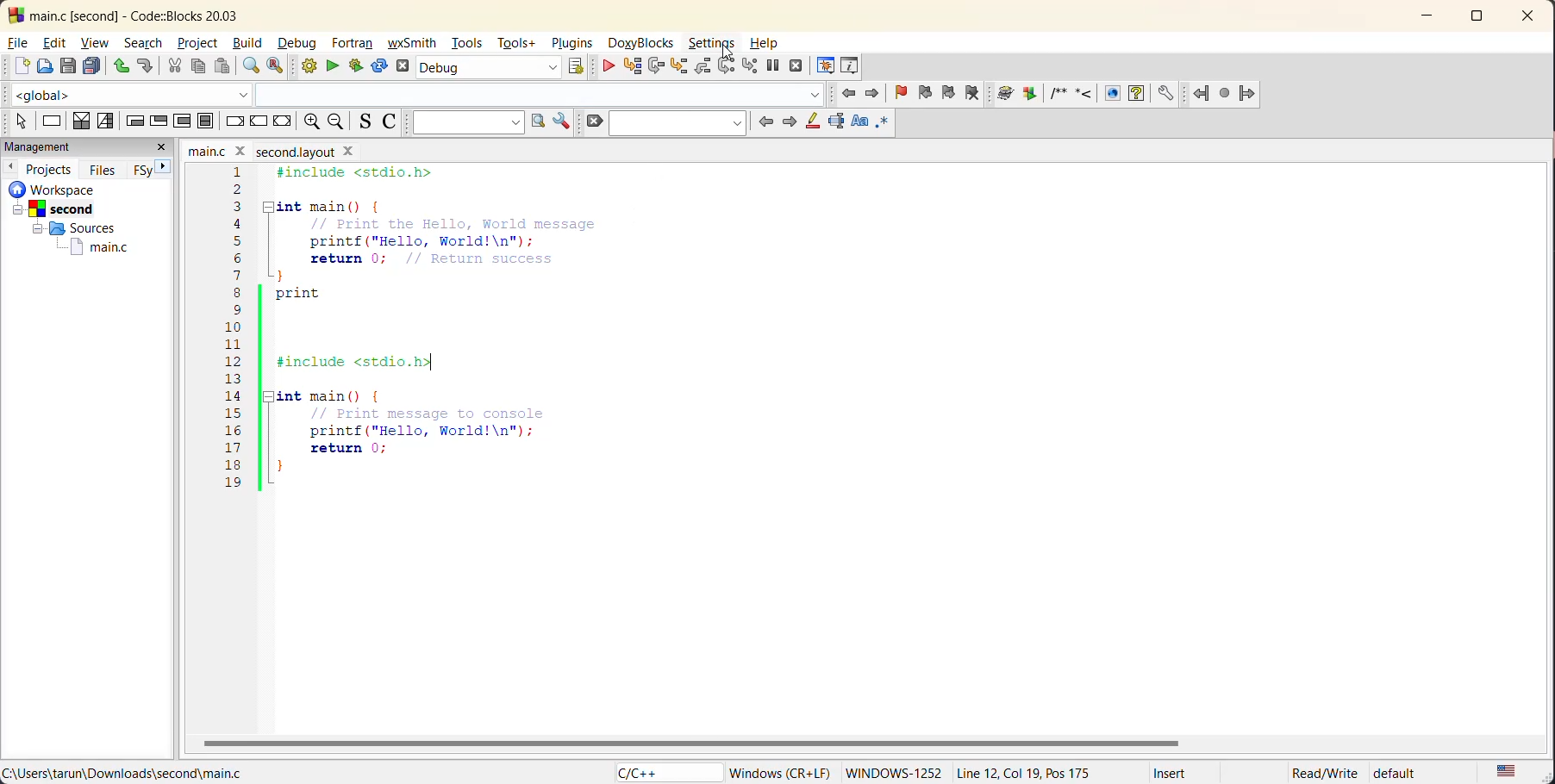 This screenshot has width=1555, height=784. I want to click on code completion compiler, so click(416, 94).